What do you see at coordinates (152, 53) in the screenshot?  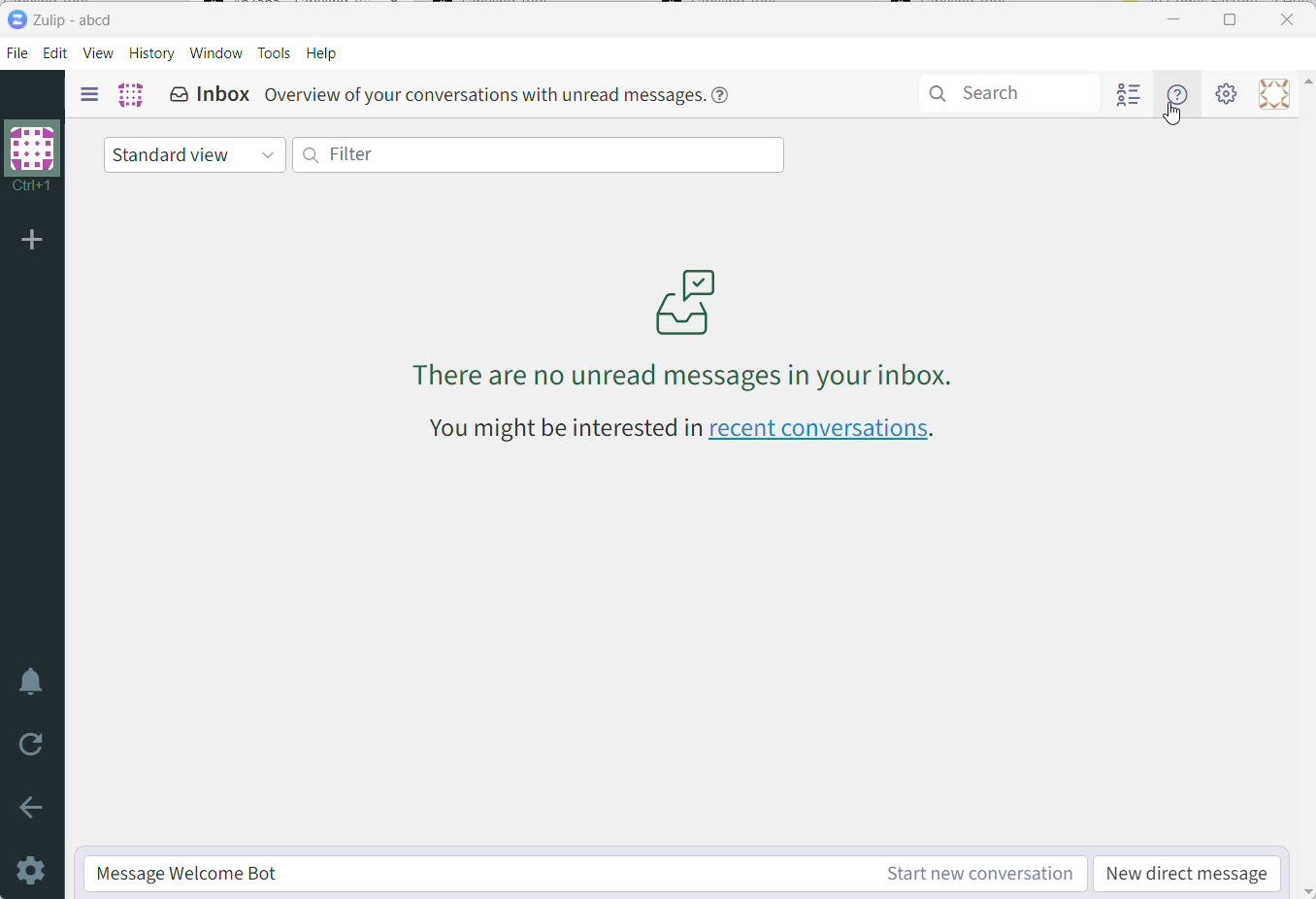 I see `History` at bounding box center [152, 53].